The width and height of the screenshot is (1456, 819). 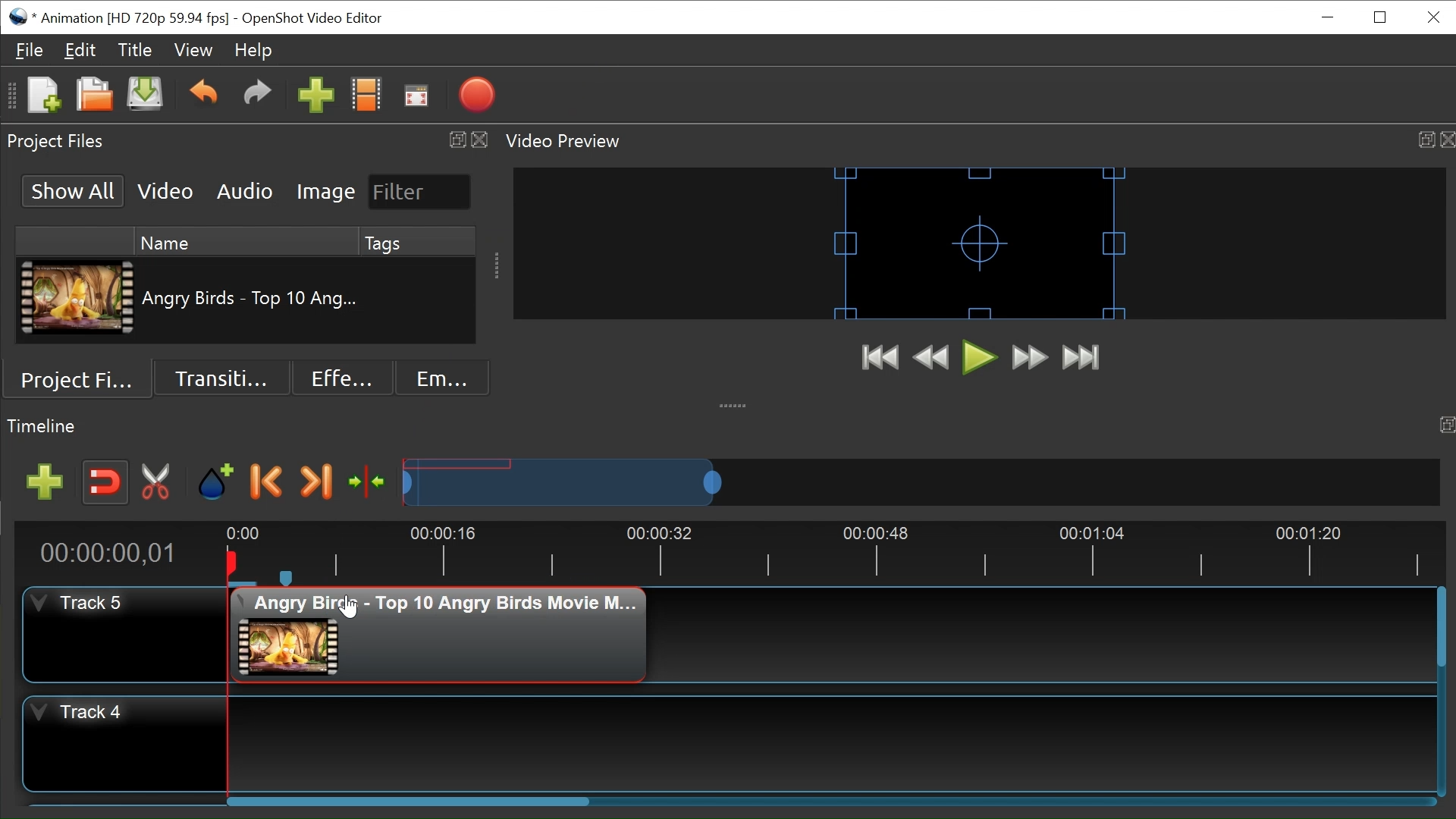 What do you see at coordinates (476, 97) in the screenshot?
I see `Export Video` at bounding box center [476, 97].